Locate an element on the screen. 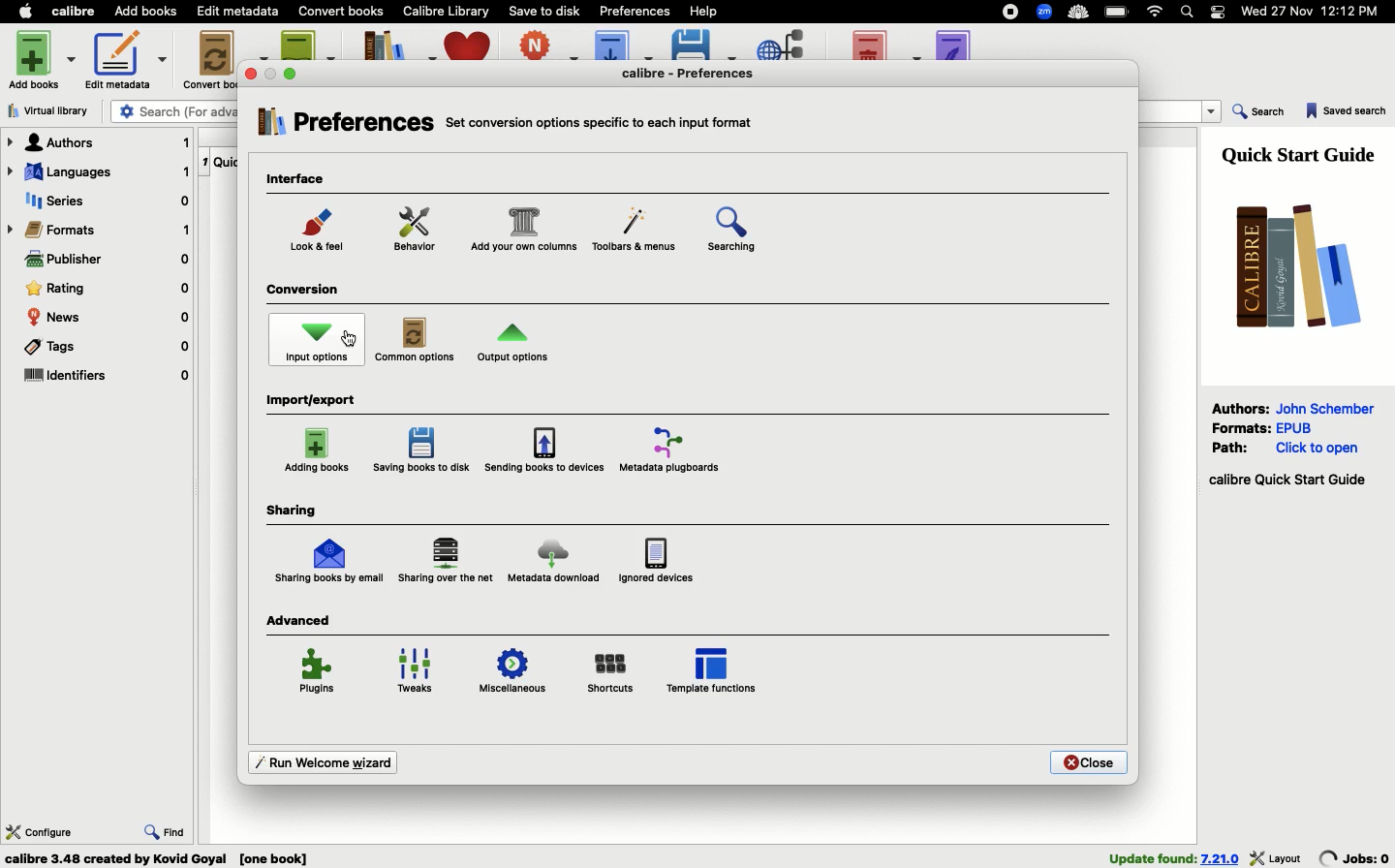 This screenshot has height=868, width=1395. Publisher is located at coordinates (107, 262).